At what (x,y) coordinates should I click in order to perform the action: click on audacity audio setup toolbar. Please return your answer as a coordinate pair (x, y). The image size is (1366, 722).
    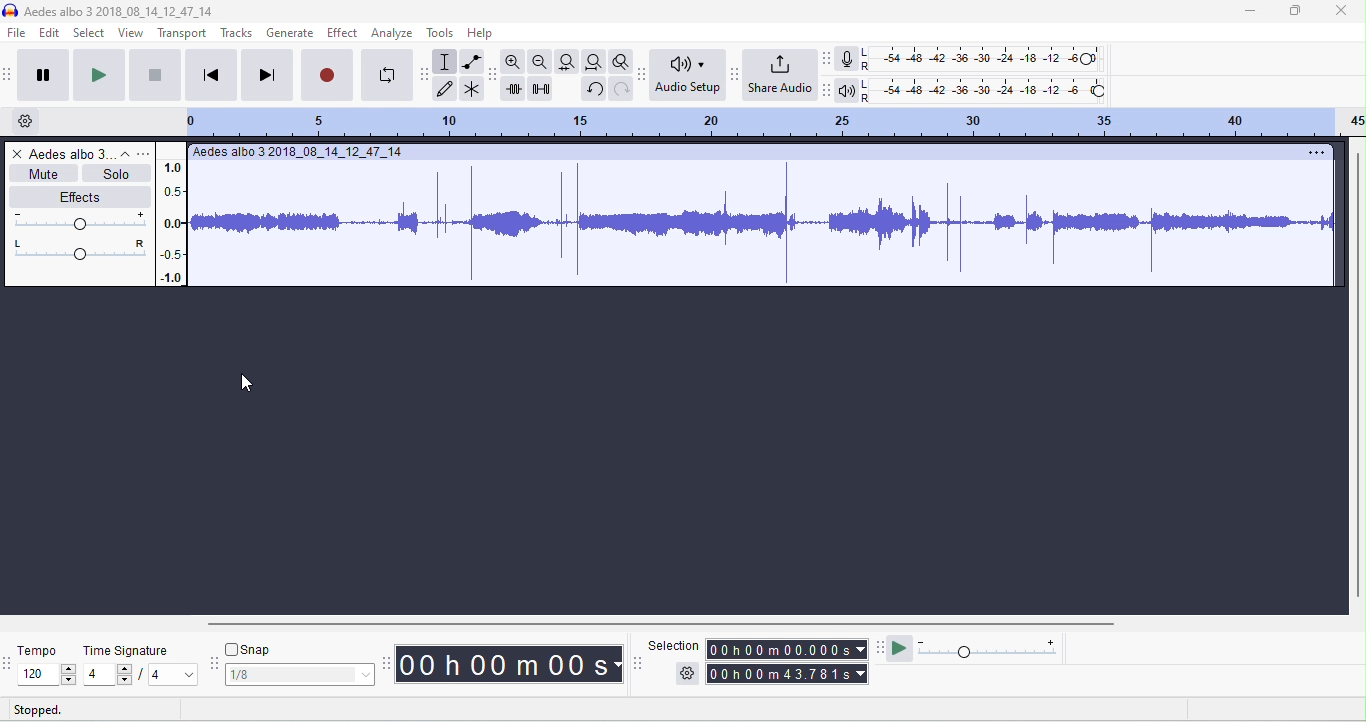
    Looking at the image, I should click on (642, 76).